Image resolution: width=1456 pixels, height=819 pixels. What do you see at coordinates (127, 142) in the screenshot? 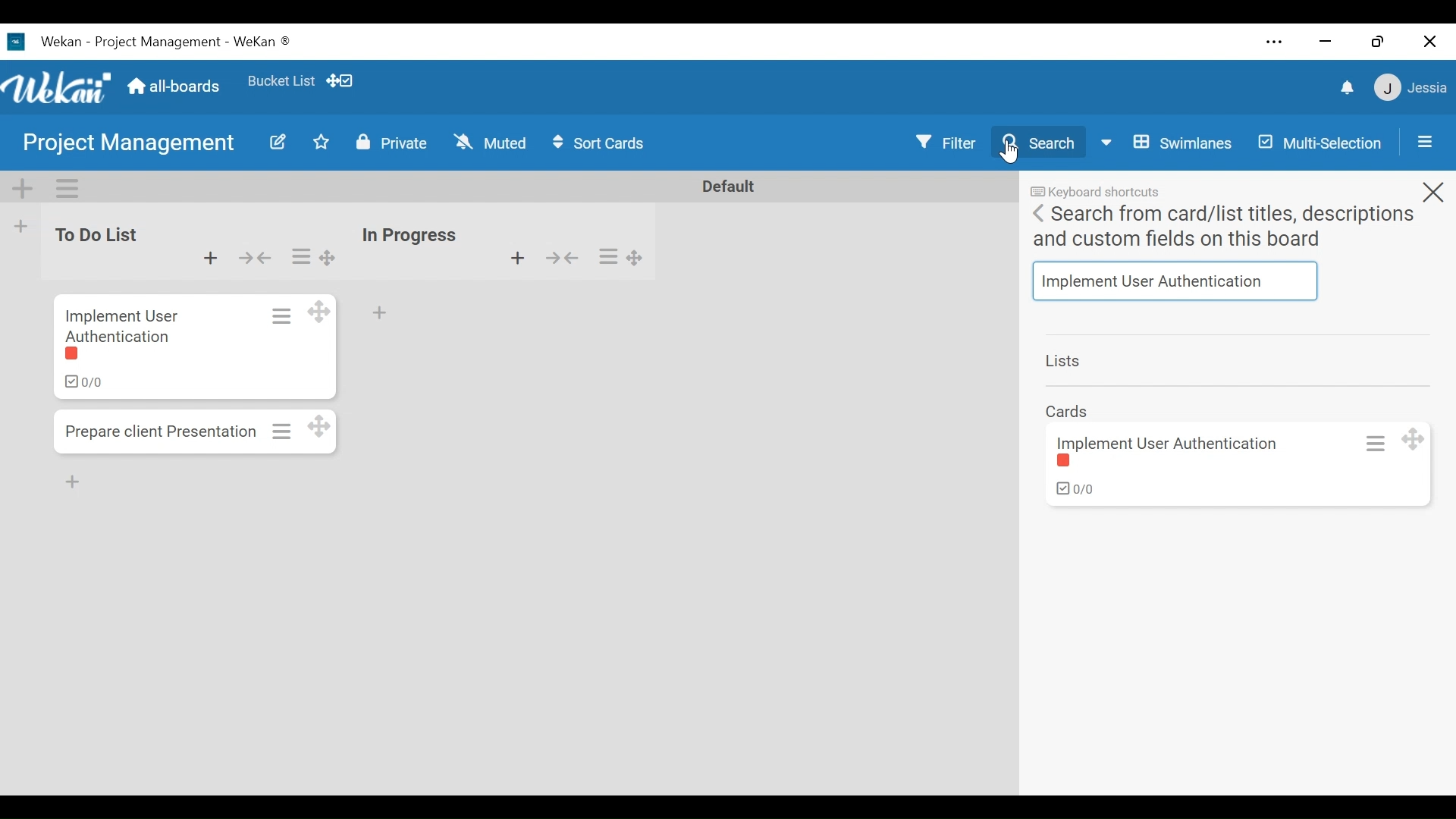
I see `Board Name` at bounding box center [127, 142].